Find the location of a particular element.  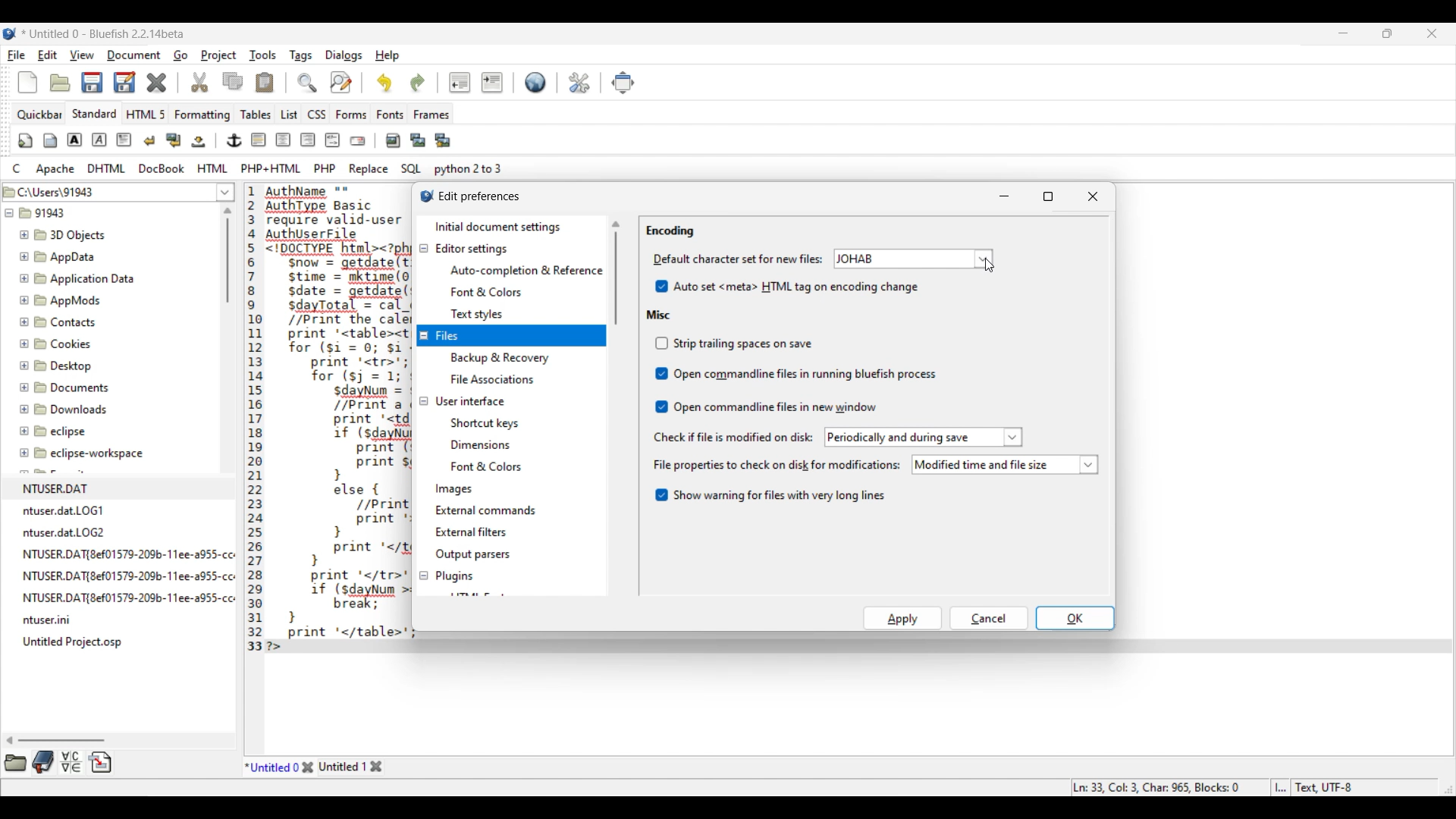

Auto set HTML tag on encoding change is located at coordinates (786, 287).